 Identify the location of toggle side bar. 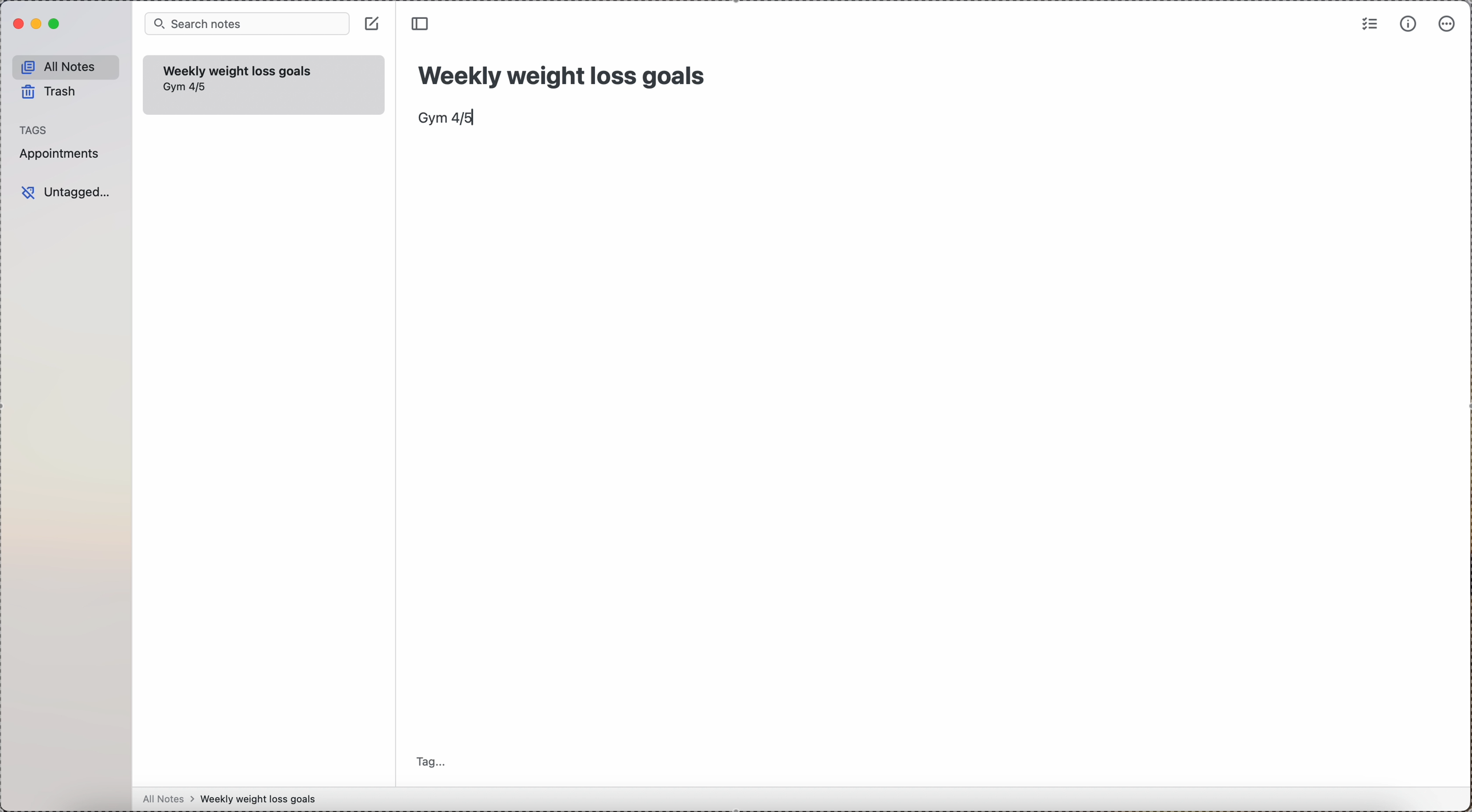
(423, 24).